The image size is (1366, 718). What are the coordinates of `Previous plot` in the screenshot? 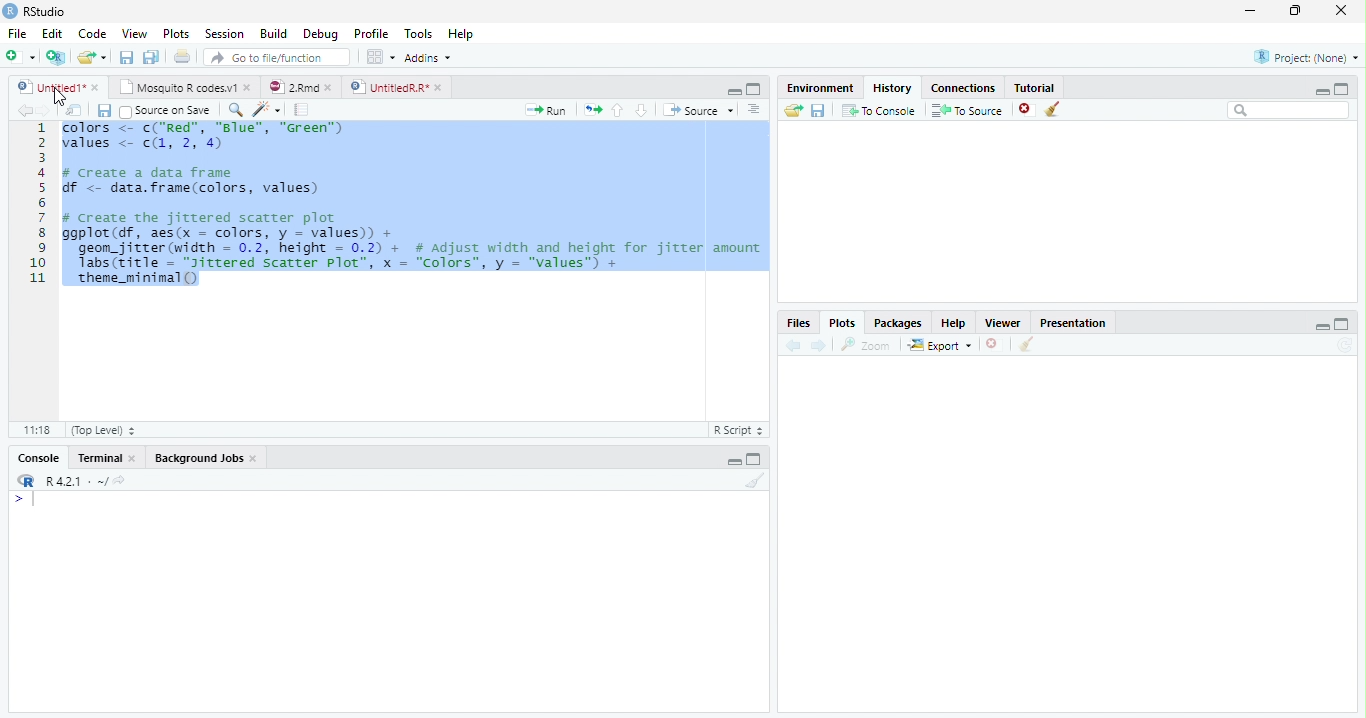 It's located at (794, 345).